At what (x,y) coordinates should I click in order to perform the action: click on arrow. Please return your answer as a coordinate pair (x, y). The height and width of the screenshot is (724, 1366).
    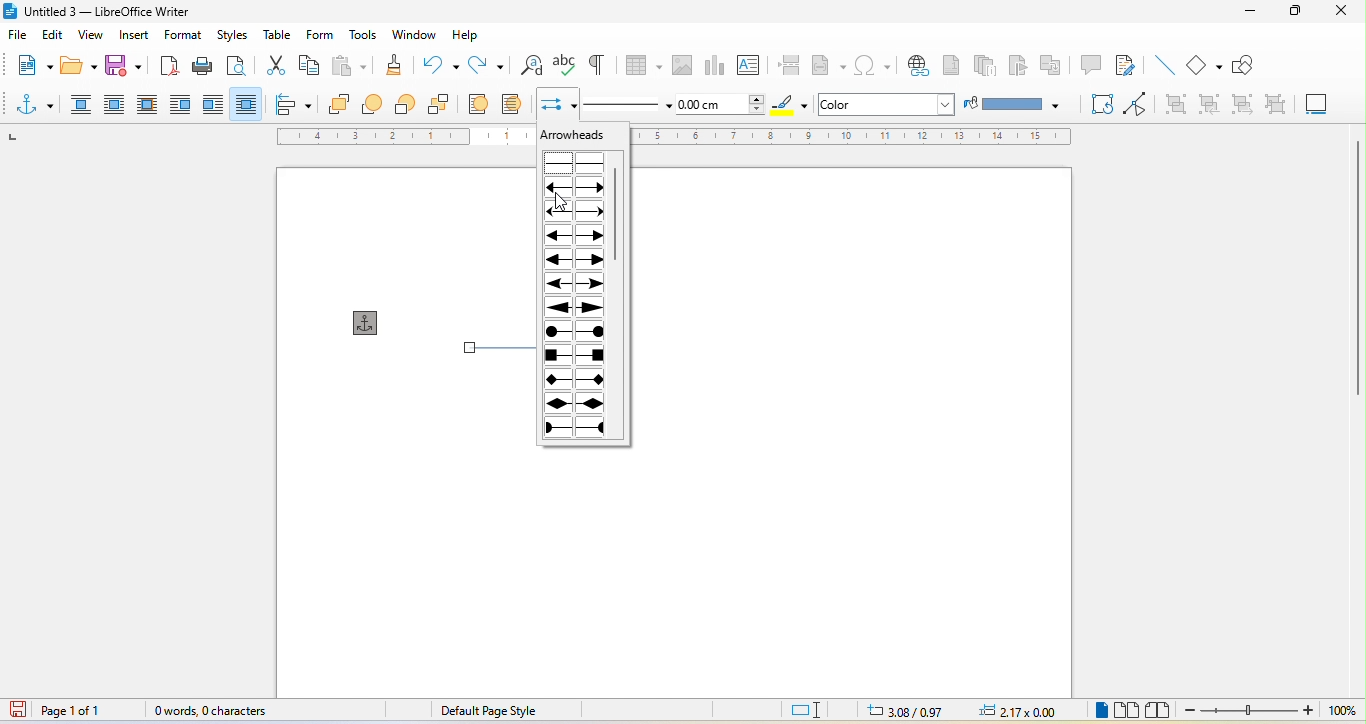
    Looking at the image, I should click on (578, 234).